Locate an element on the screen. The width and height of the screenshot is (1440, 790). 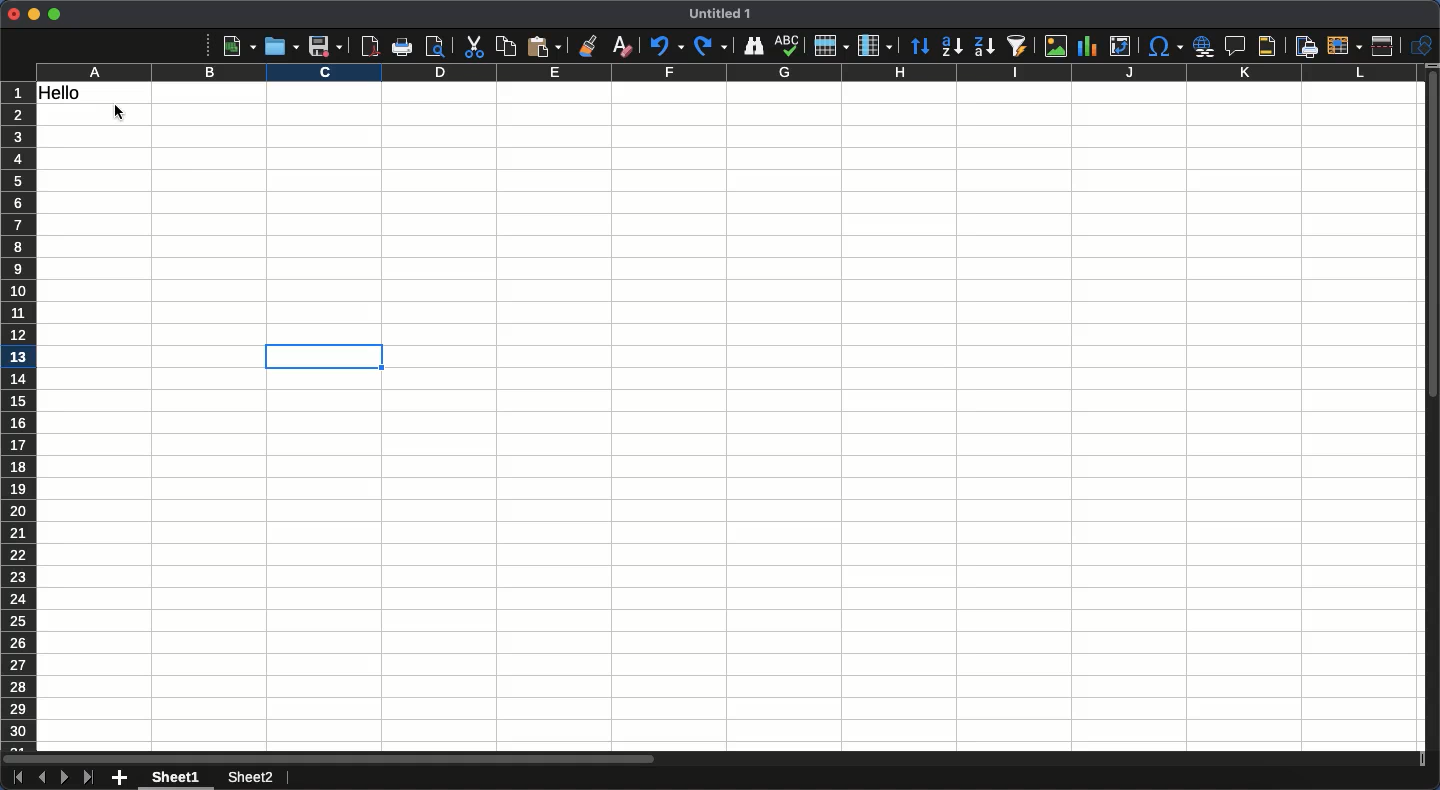
Add new sheet is located at coordinates (120, 779).